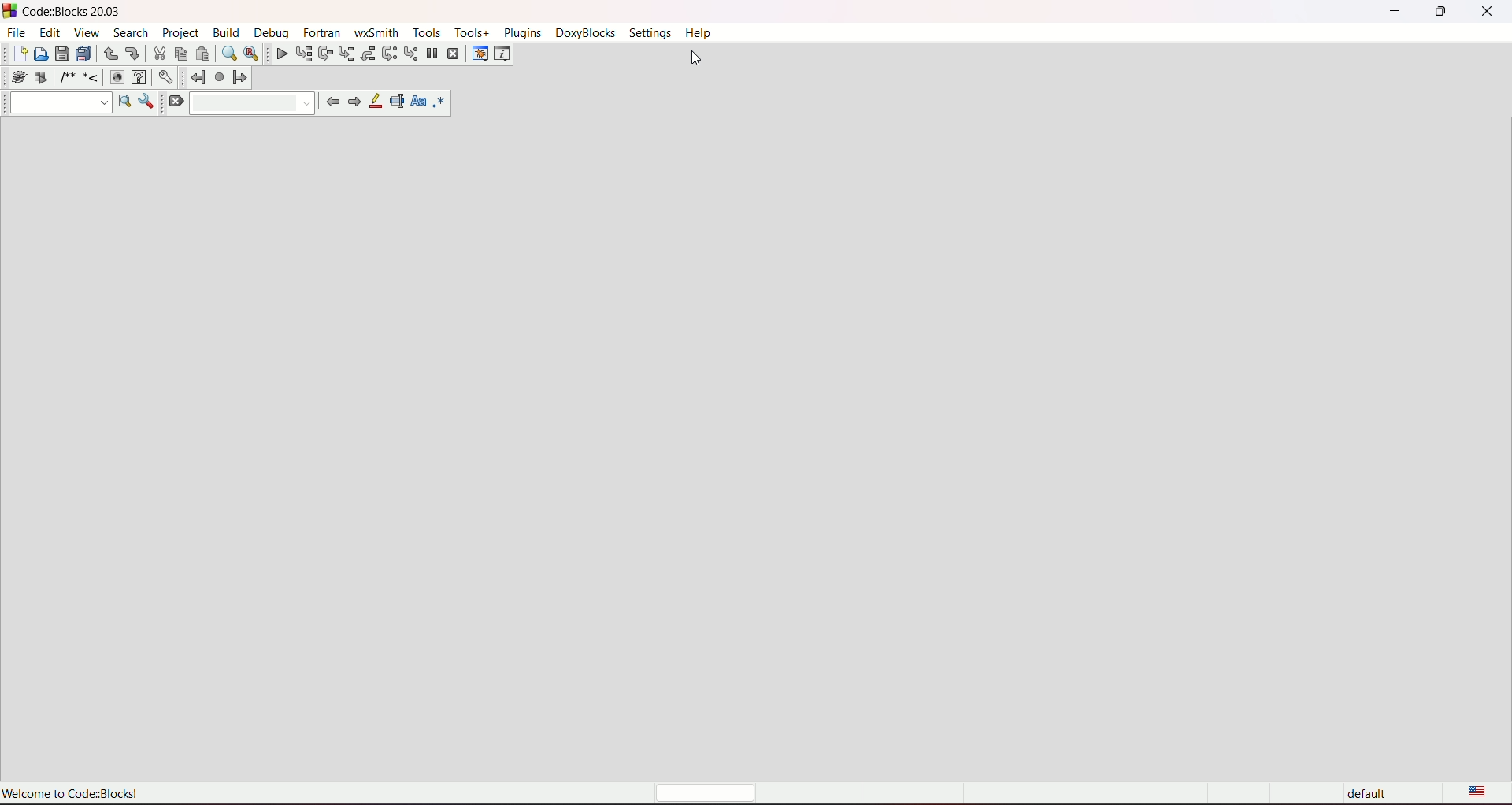 The width and height of the screenshot is (1512, 805). Describe the element at coordinates (224, 33) in the screenshot. I see `build` at that location.